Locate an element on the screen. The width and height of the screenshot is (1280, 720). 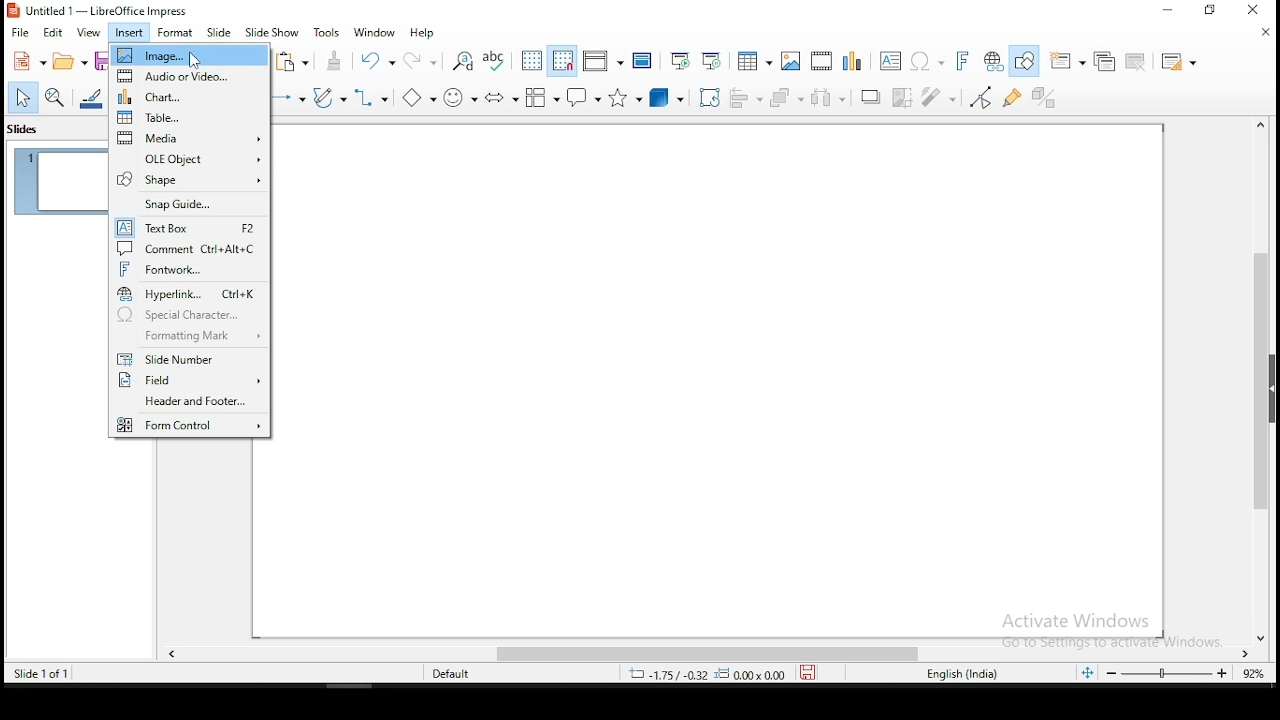
slides is located at coordinates (27, 133).